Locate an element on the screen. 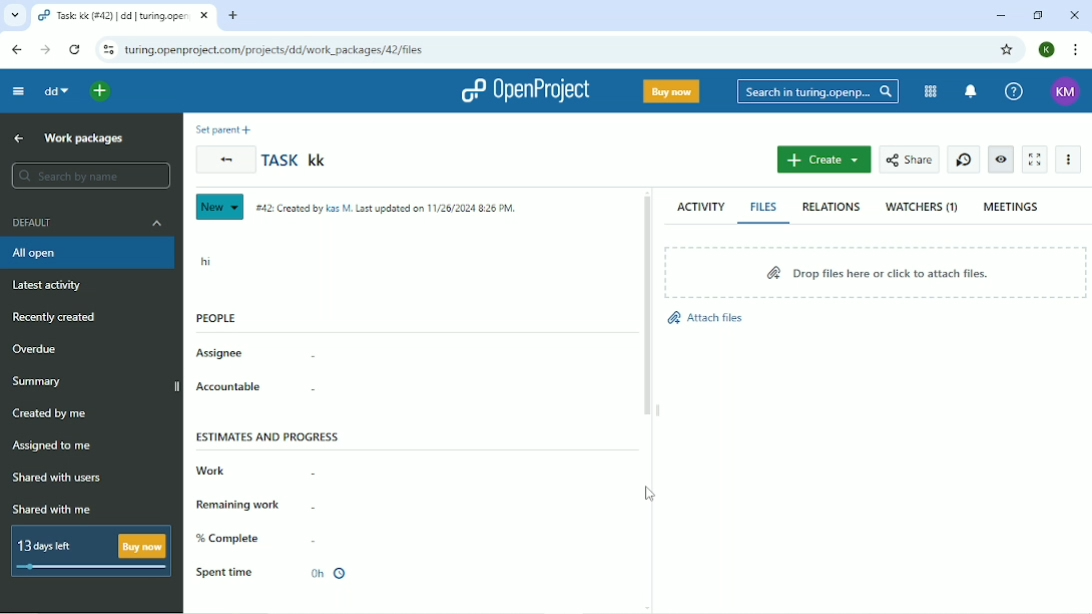  hi is located at coordinates (208, 261).